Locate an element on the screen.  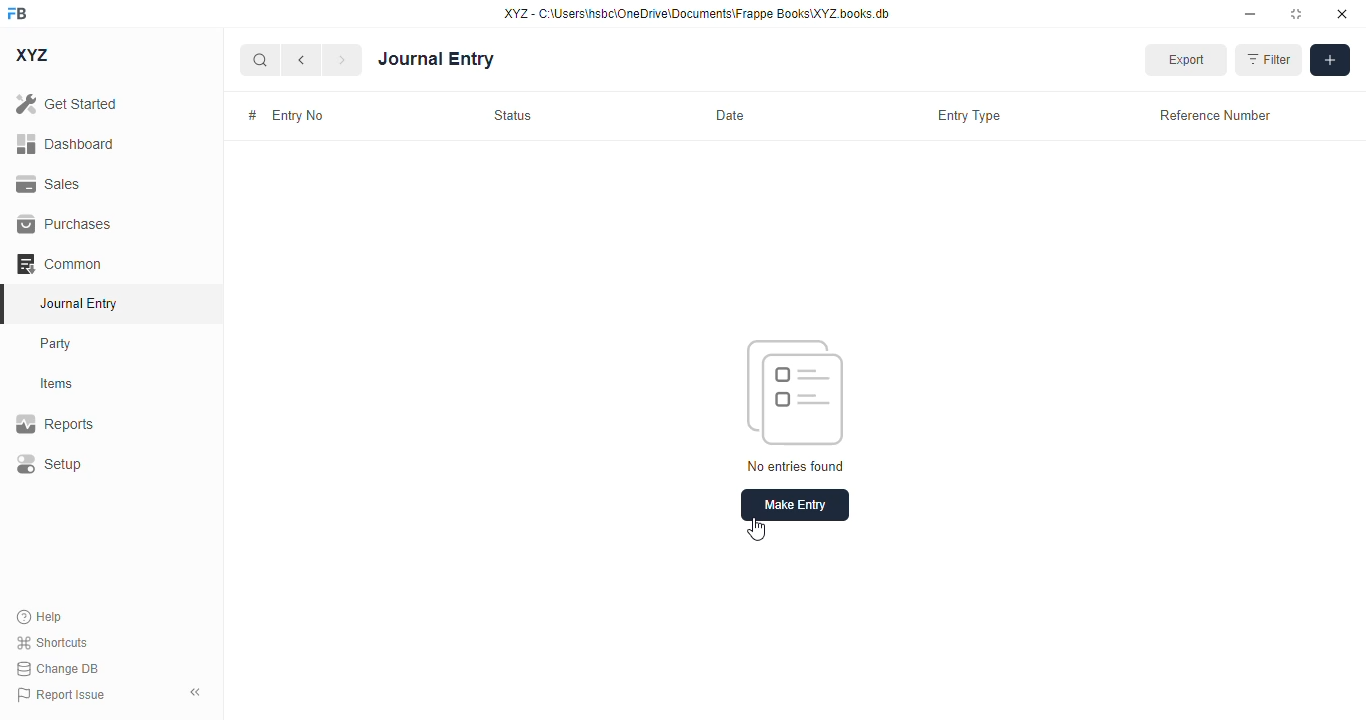
get started is located at coordinates (66, 103).